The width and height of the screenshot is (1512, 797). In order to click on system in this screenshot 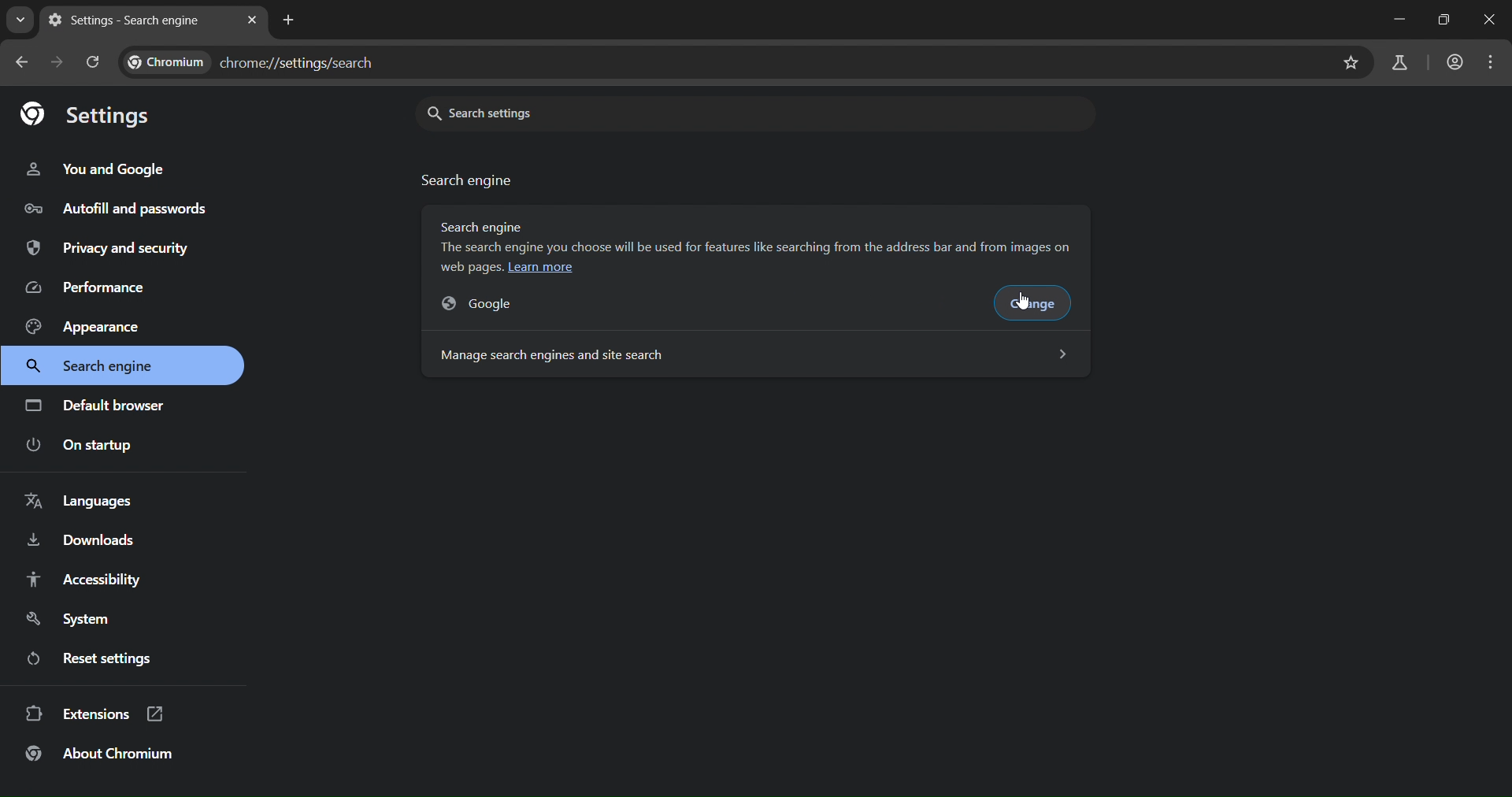, I will do `click(79, 618)`.